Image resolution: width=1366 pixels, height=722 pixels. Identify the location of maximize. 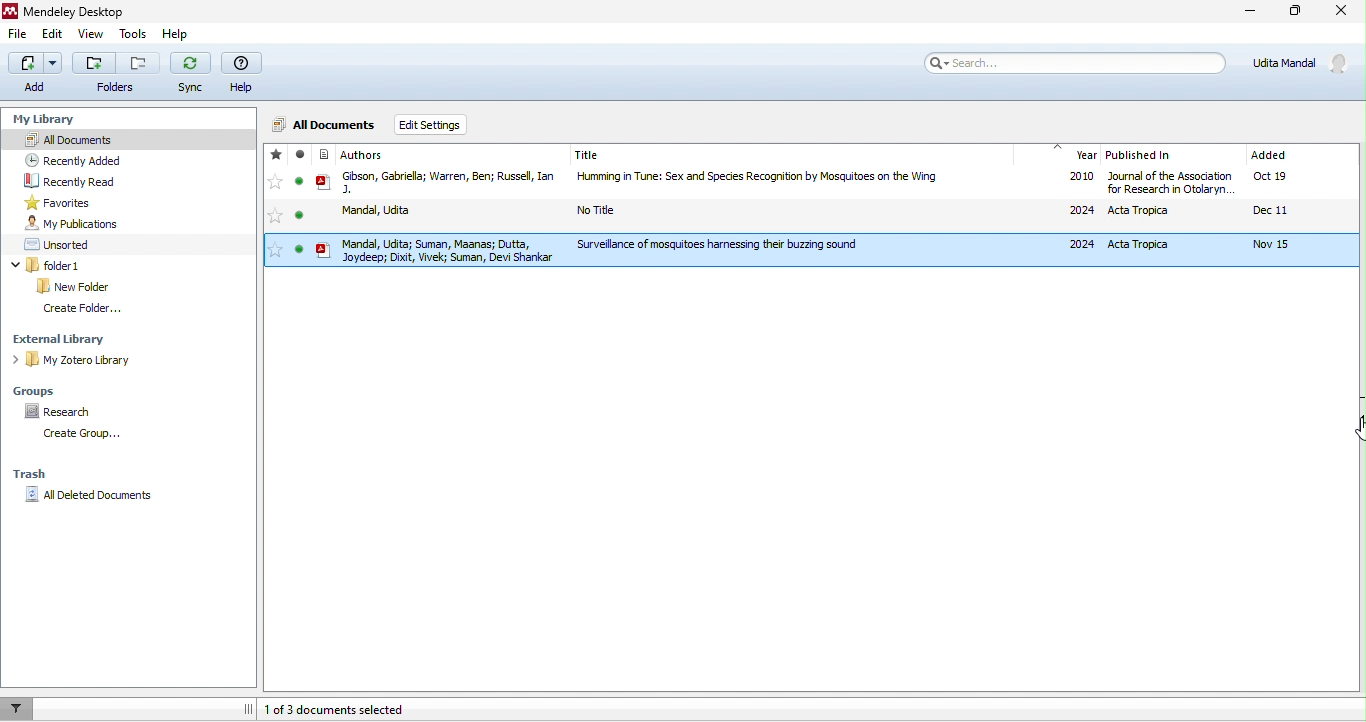
(1297, 11).